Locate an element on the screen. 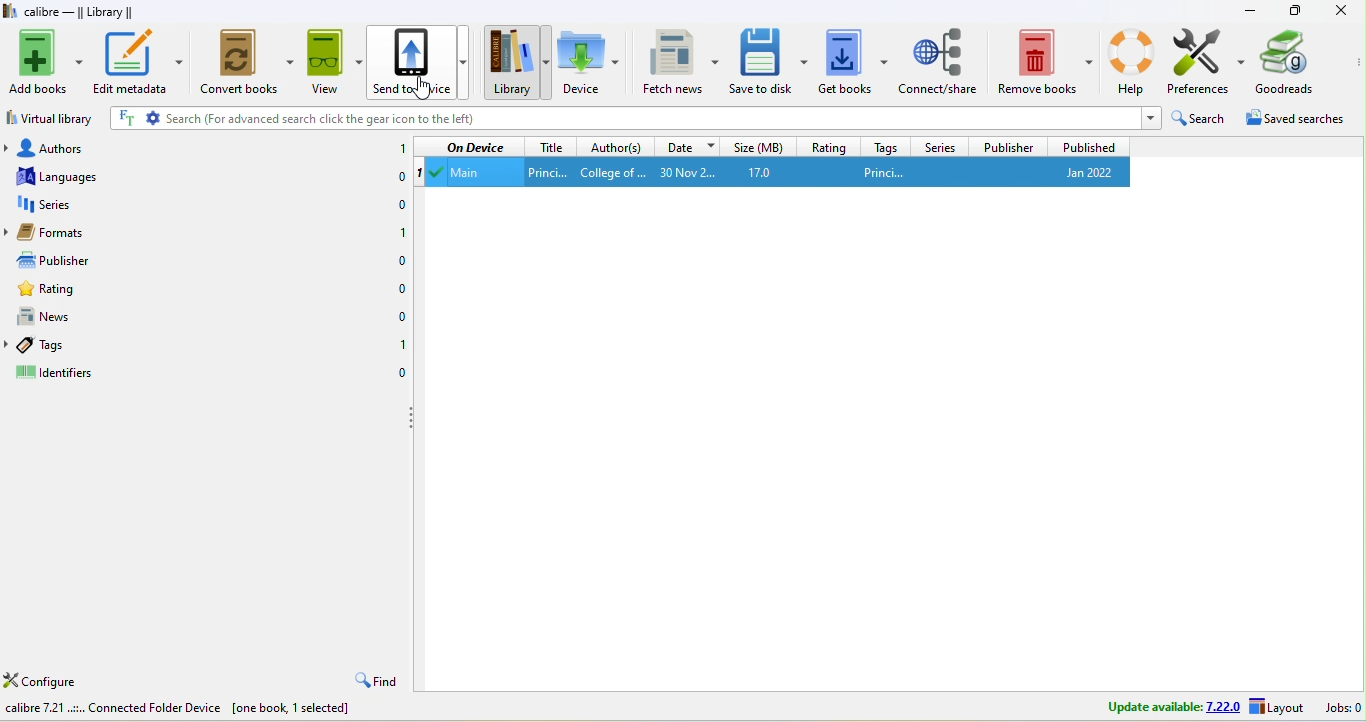  save to disk is located at coordinates (771, 64).